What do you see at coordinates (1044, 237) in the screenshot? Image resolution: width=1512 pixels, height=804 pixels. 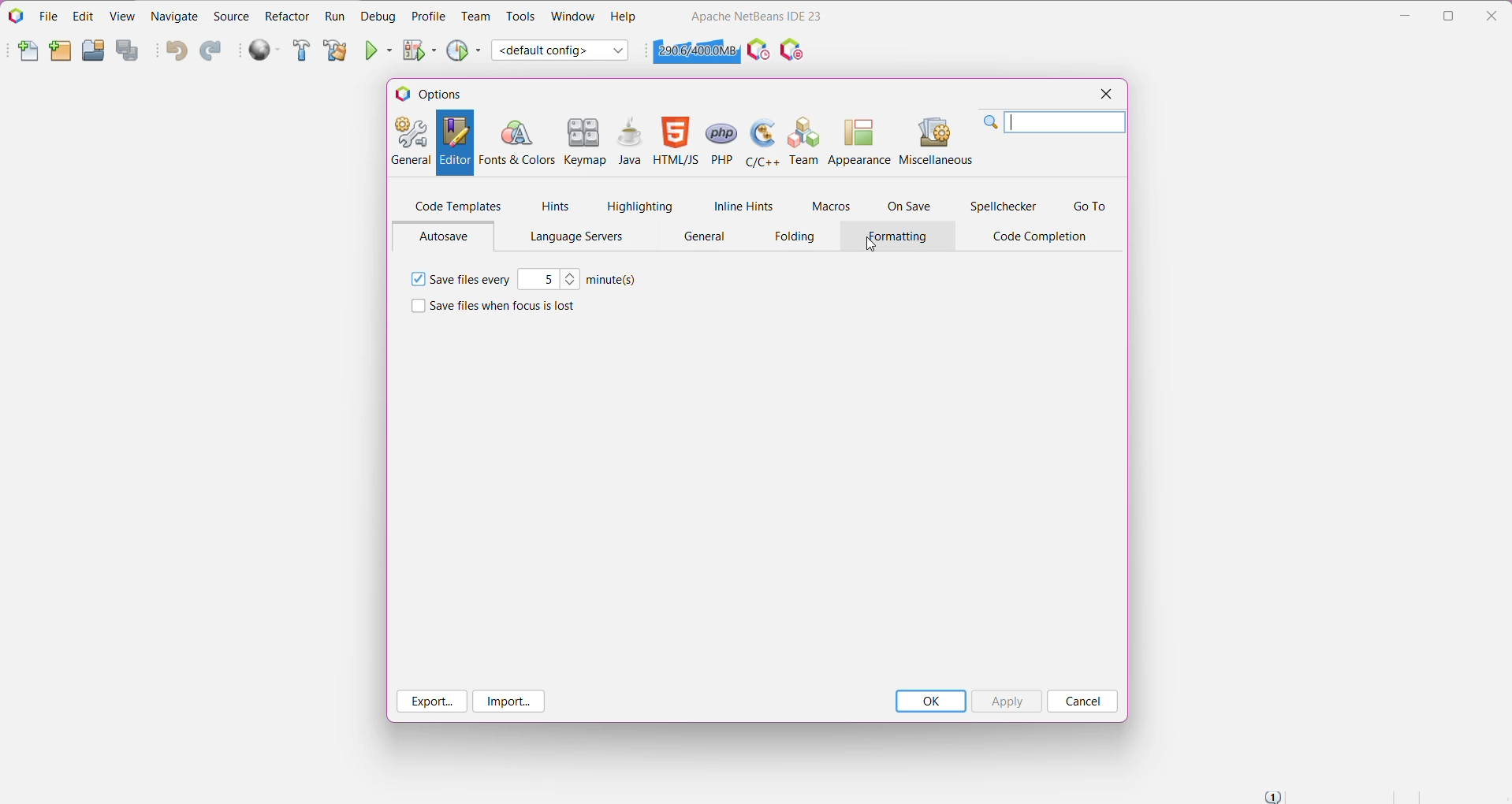 I see `Code Completion` at bounding box center [1044, 237].